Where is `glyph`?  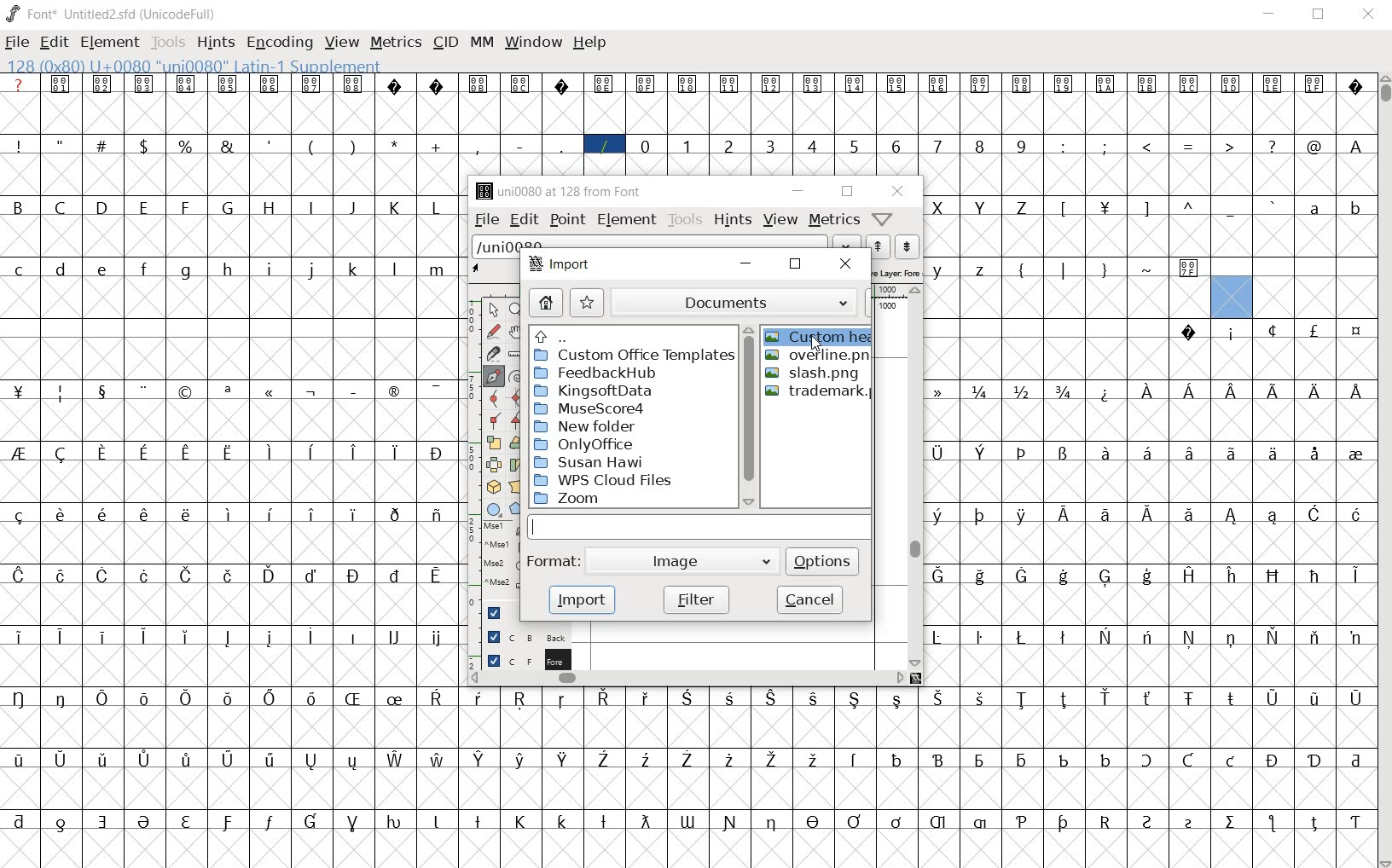
glyph is located at coordinates (270, 514).